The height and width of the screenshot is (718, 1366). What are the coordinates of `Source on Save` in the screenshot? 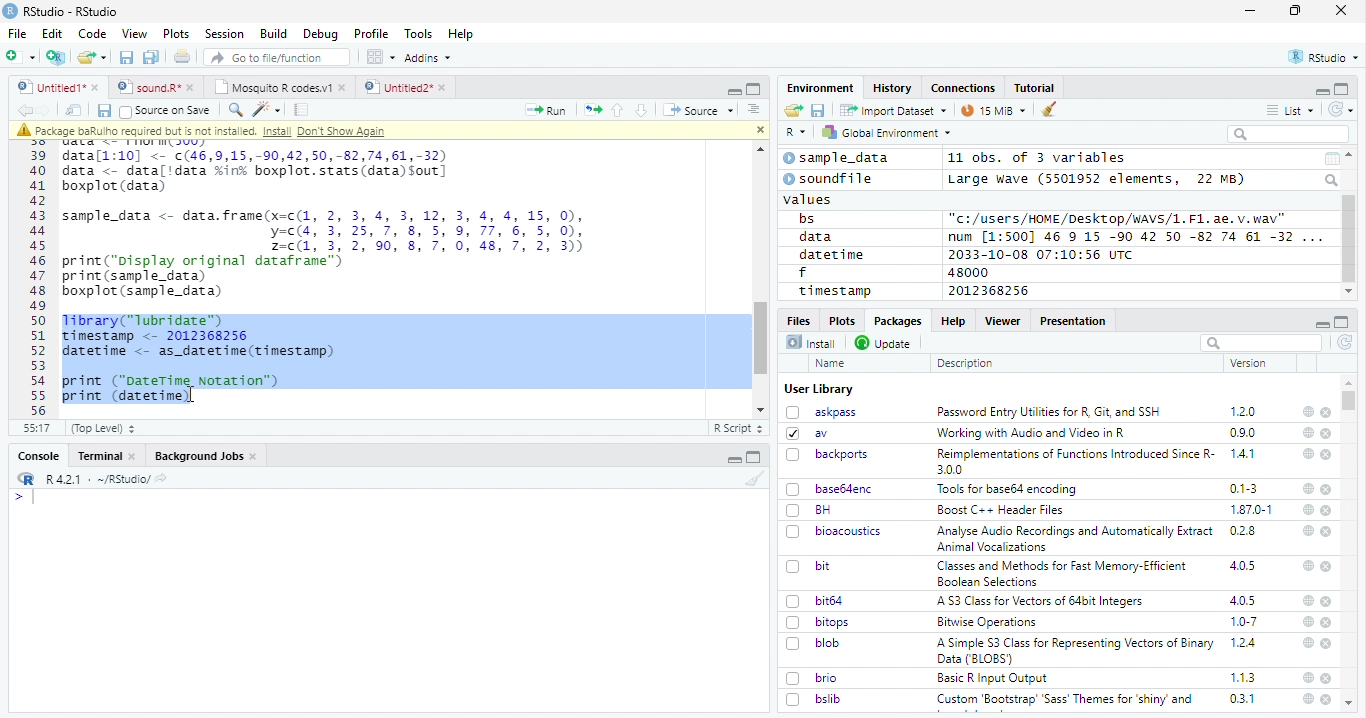 It's located at (164, 110).